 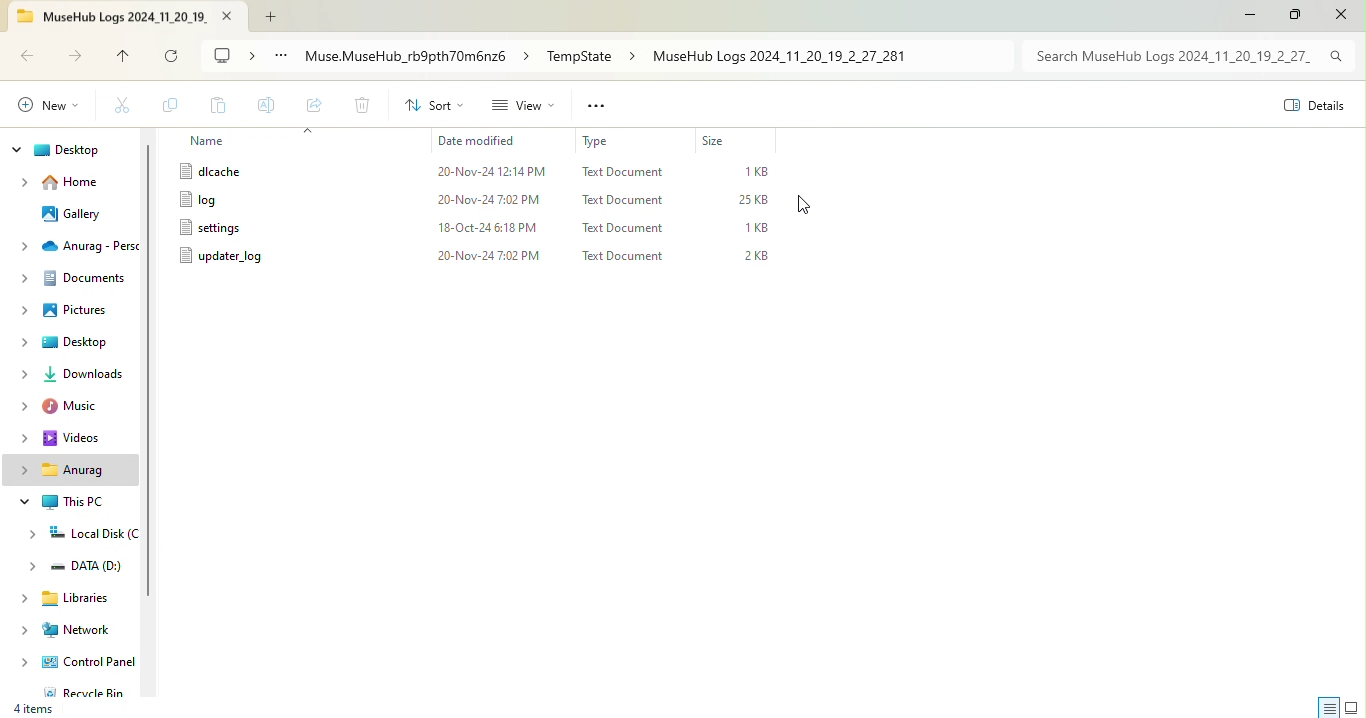 What do you see at coordinates (74, 248) in the screenshot?
I see `One Drive` at bounding box center [74, 248].